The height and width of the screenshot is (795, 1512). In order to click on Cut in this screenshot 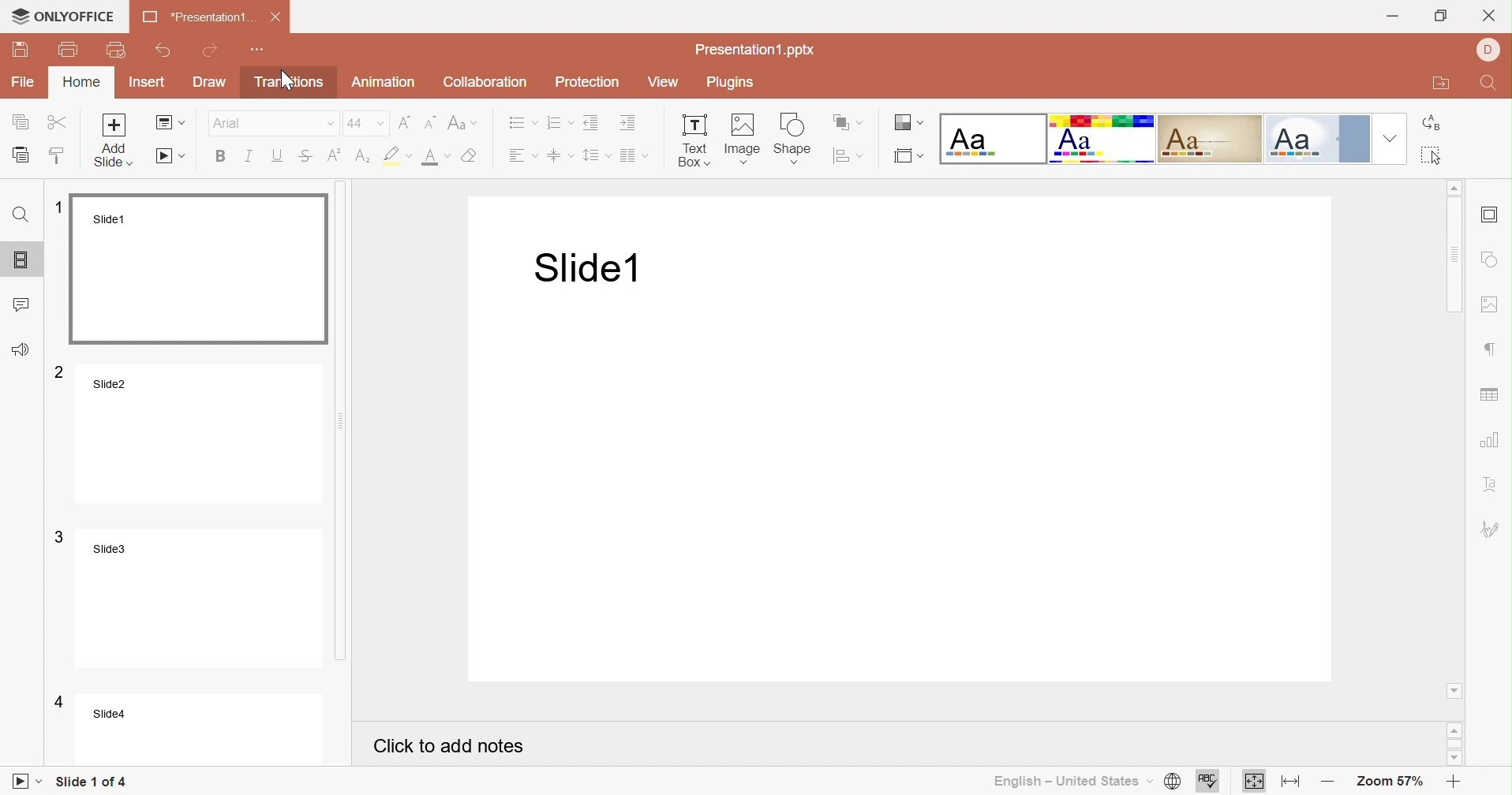, I will do `click(62, 124)`.